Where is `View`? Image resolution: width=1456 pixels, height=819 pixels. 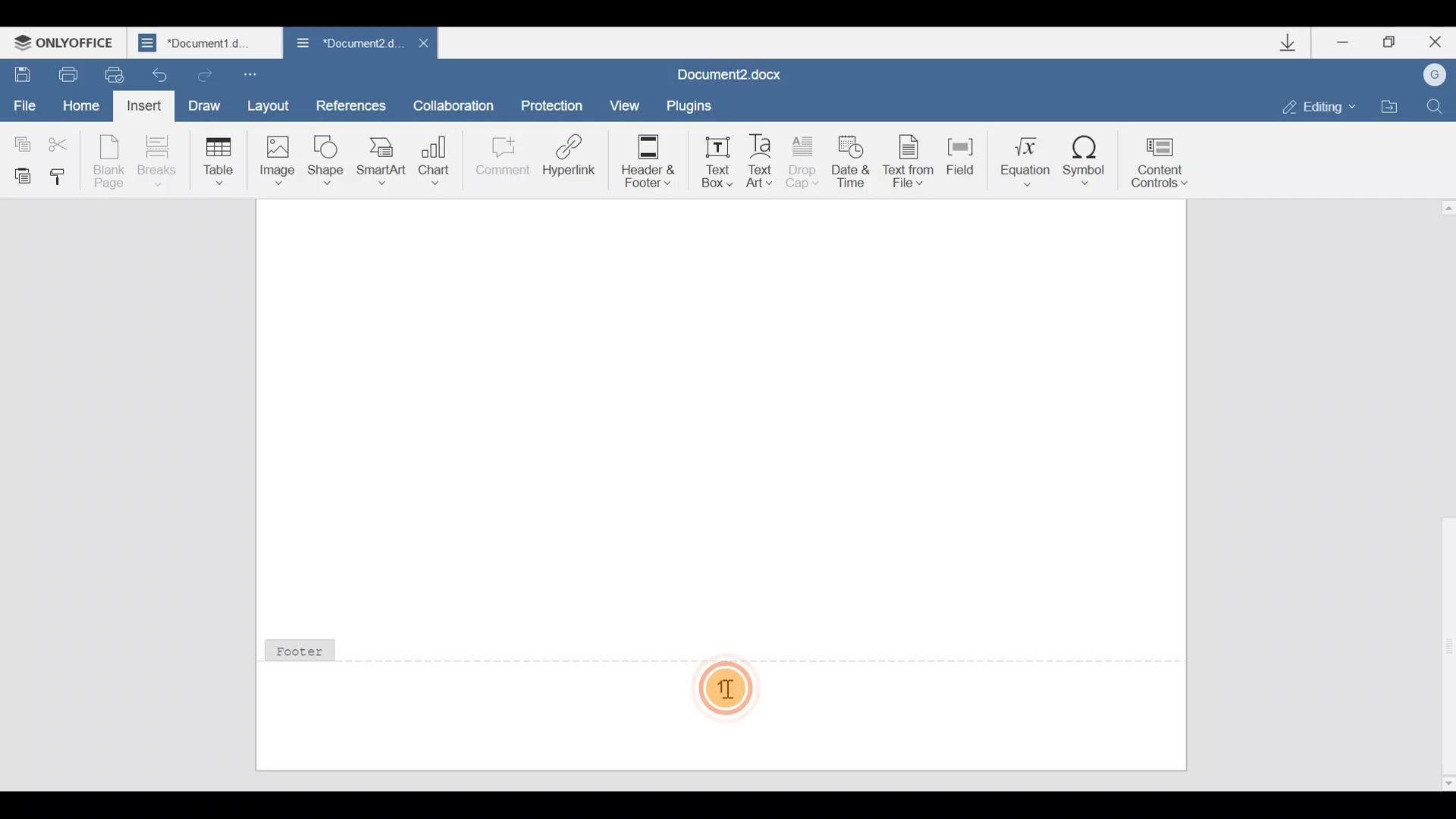 View is located at coordinates (627, 102).